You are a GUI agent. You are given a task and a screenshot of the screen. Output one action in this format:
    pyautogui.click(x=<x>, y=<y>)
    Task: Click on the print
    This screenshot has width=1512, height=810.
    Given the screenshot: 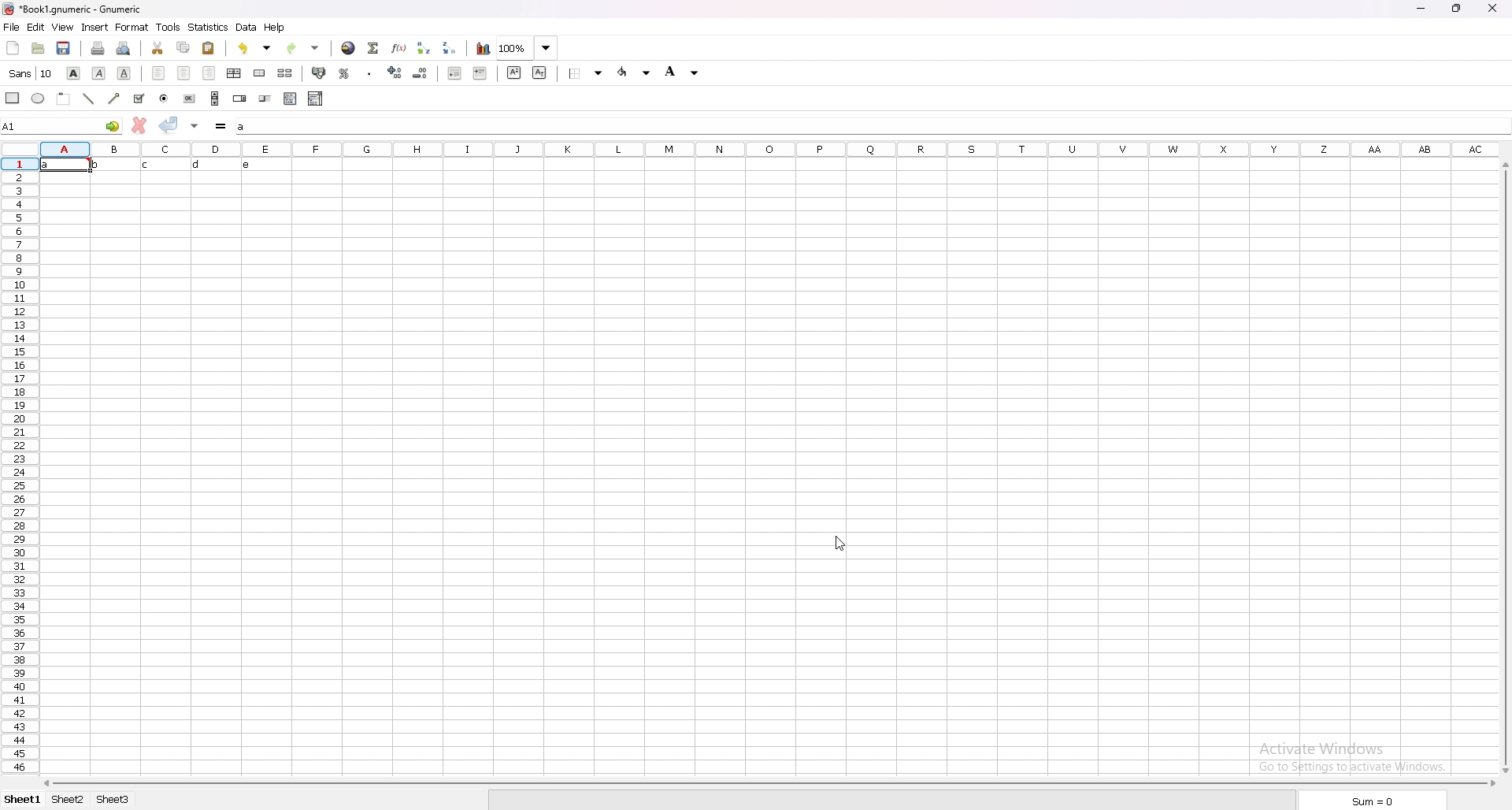 What is the action you would take?
    pyautogui.click(x=98, y=48)
    